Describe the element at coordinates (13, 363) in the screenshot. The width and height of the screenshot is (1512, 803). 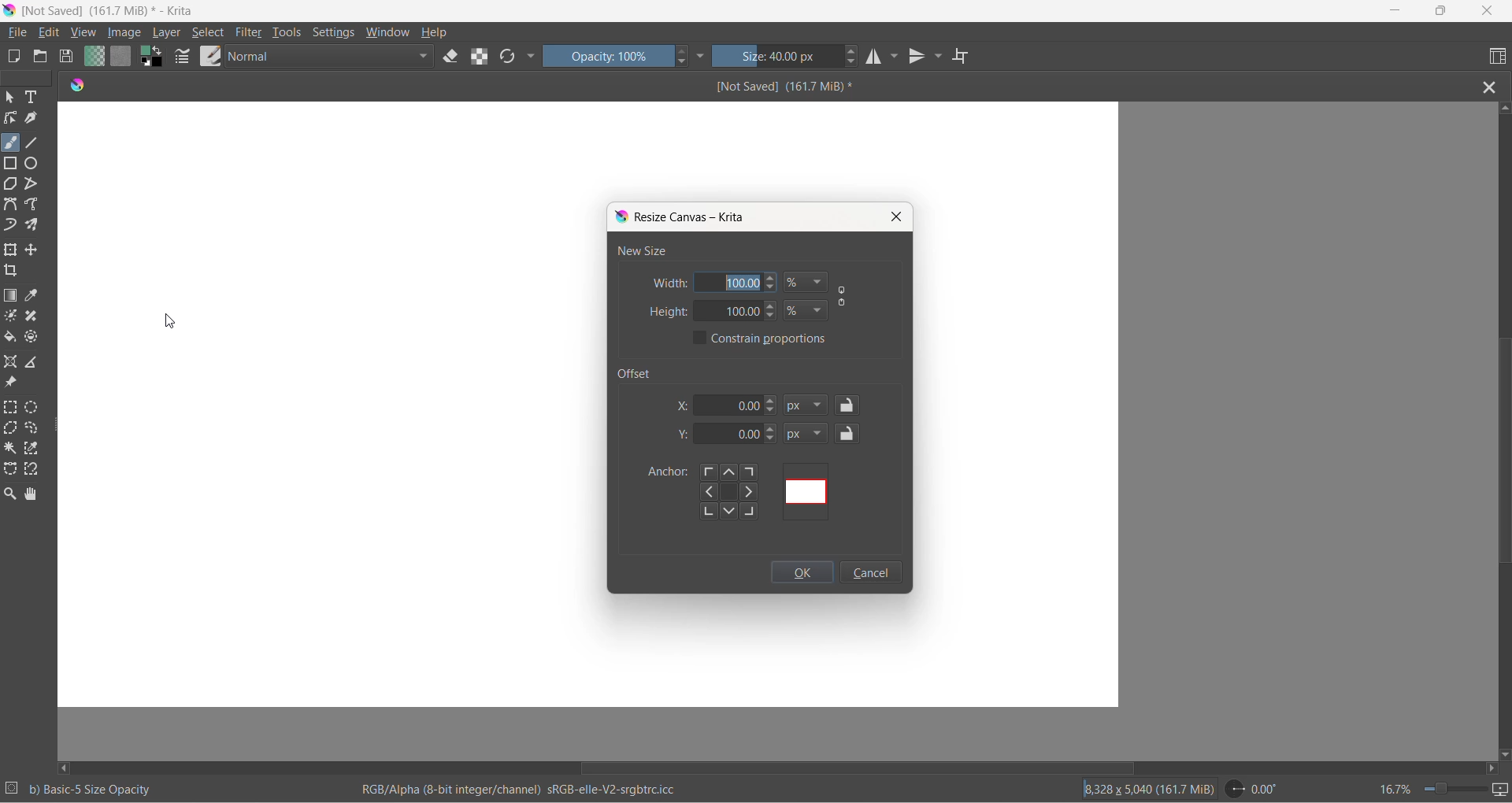
I see `assistant tool` at that location.